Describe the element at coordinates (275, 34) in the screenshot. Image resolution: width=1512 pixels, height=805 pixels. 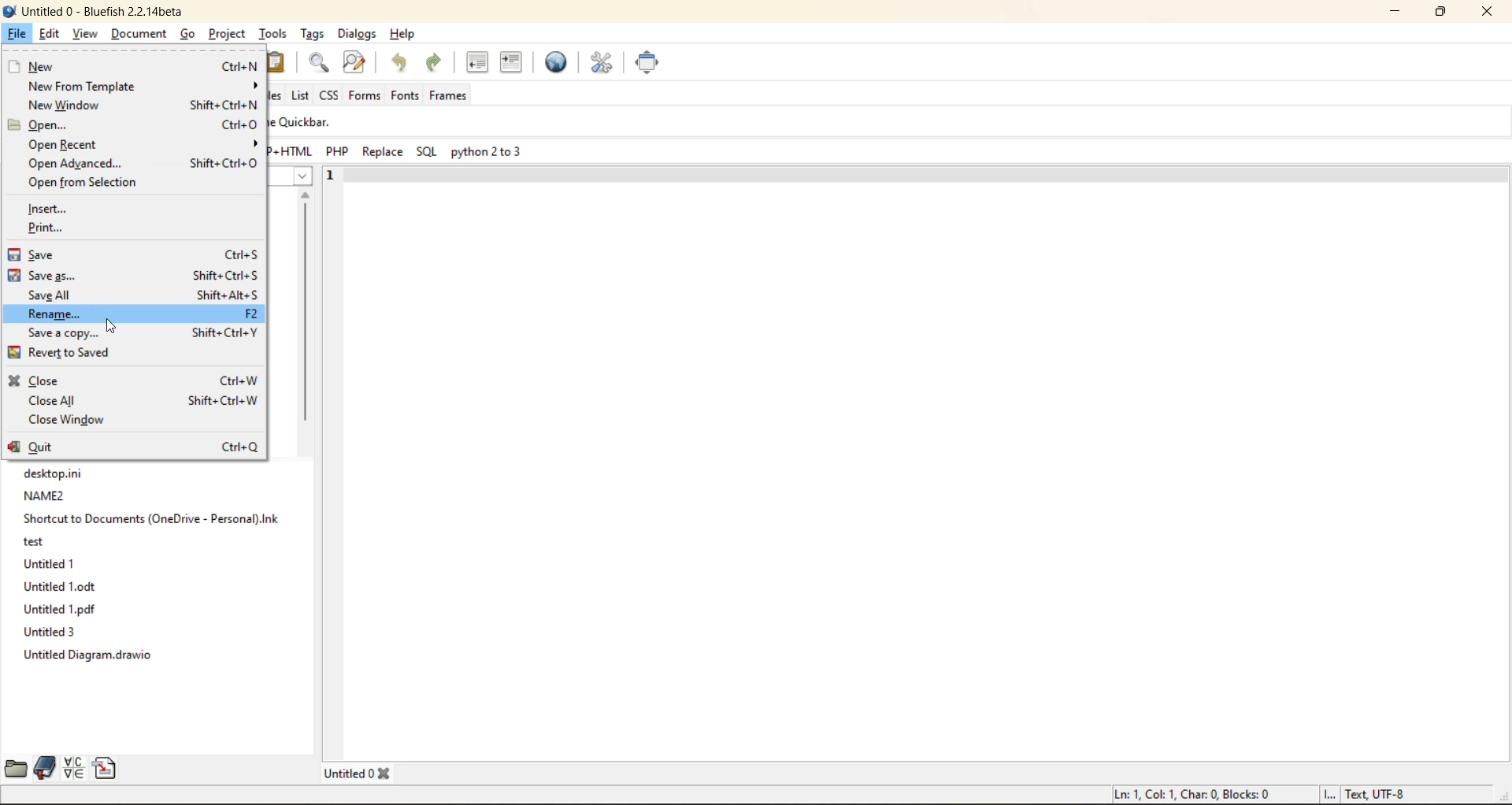
I see `tools` at that location.